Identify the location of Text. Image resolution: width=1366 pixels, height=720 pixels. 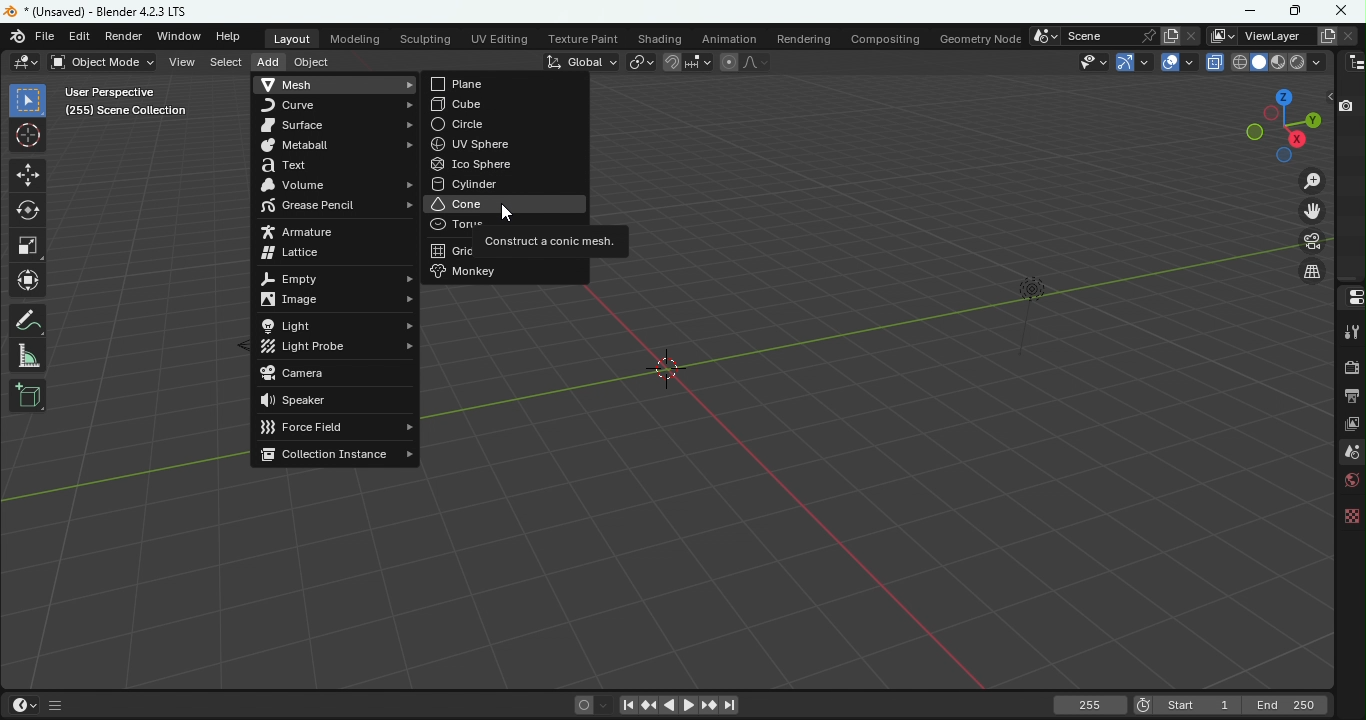
(335, 164).